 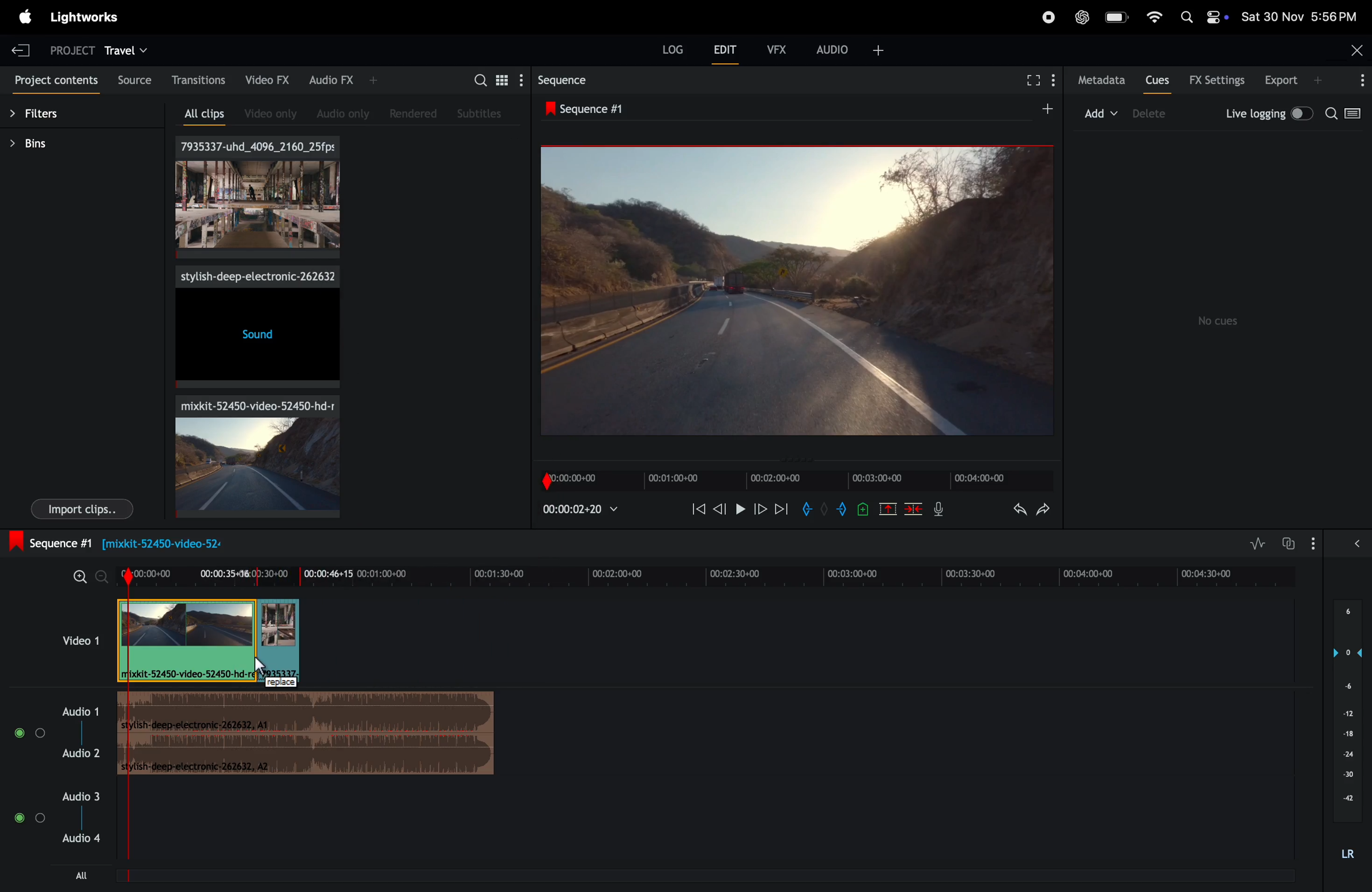 I want to click on audio only, so click(x=338, y=112).